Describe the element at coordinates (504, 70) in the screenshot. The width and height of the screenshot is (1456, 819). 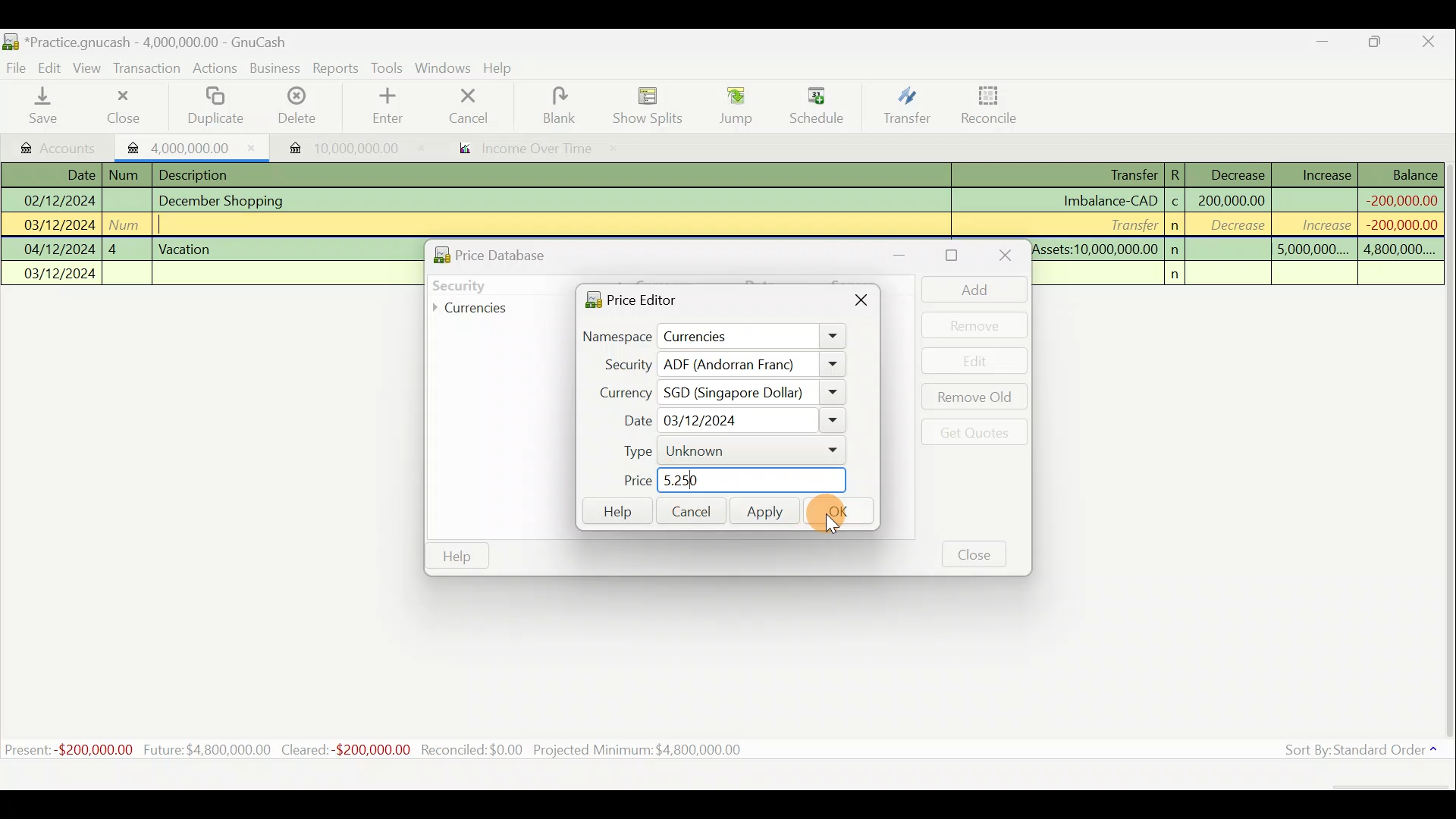
I see `Help` at that location.